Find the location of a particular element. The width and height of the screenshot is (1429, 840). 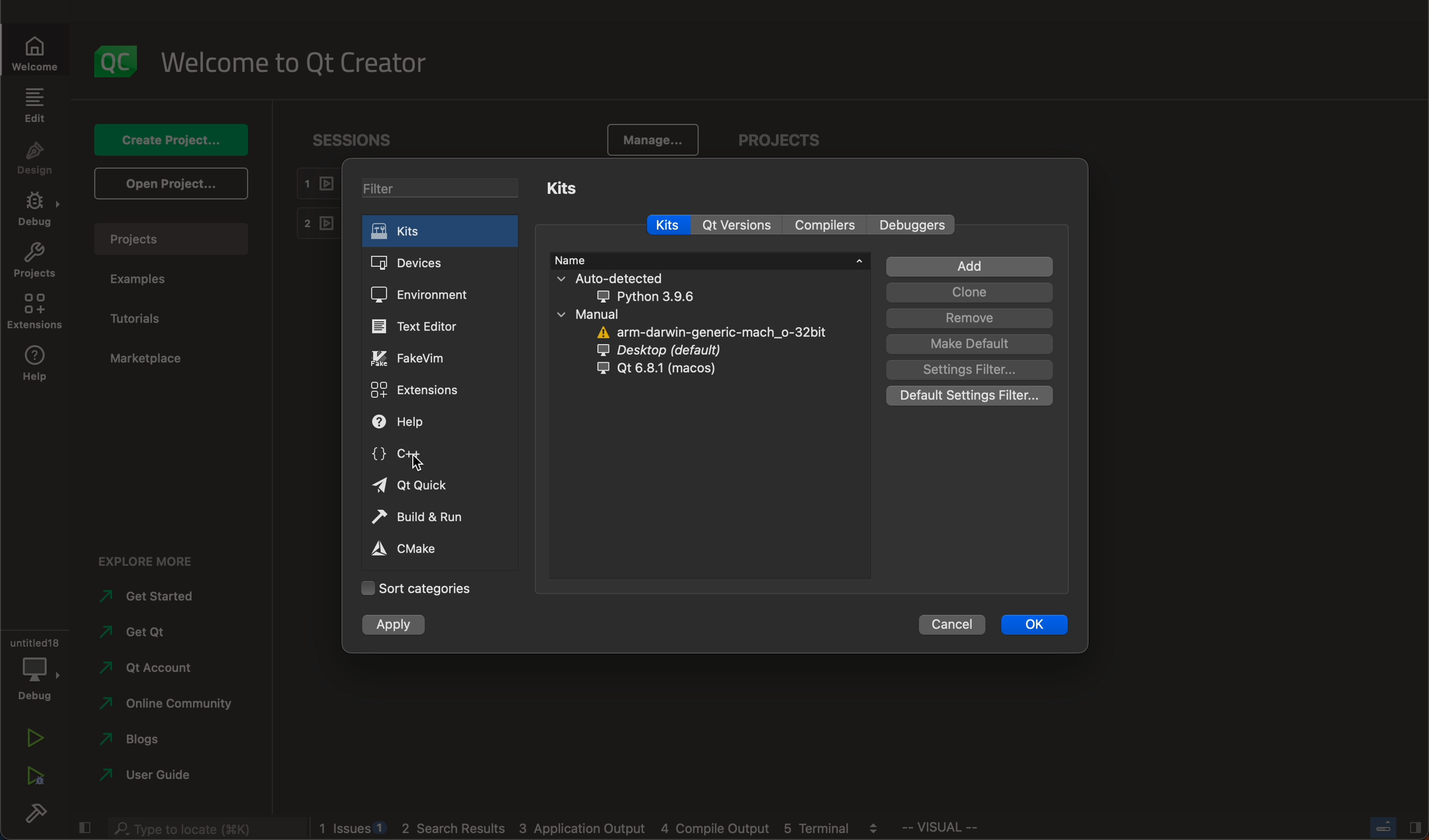

arm darwin is located at coordinates (714, 333).